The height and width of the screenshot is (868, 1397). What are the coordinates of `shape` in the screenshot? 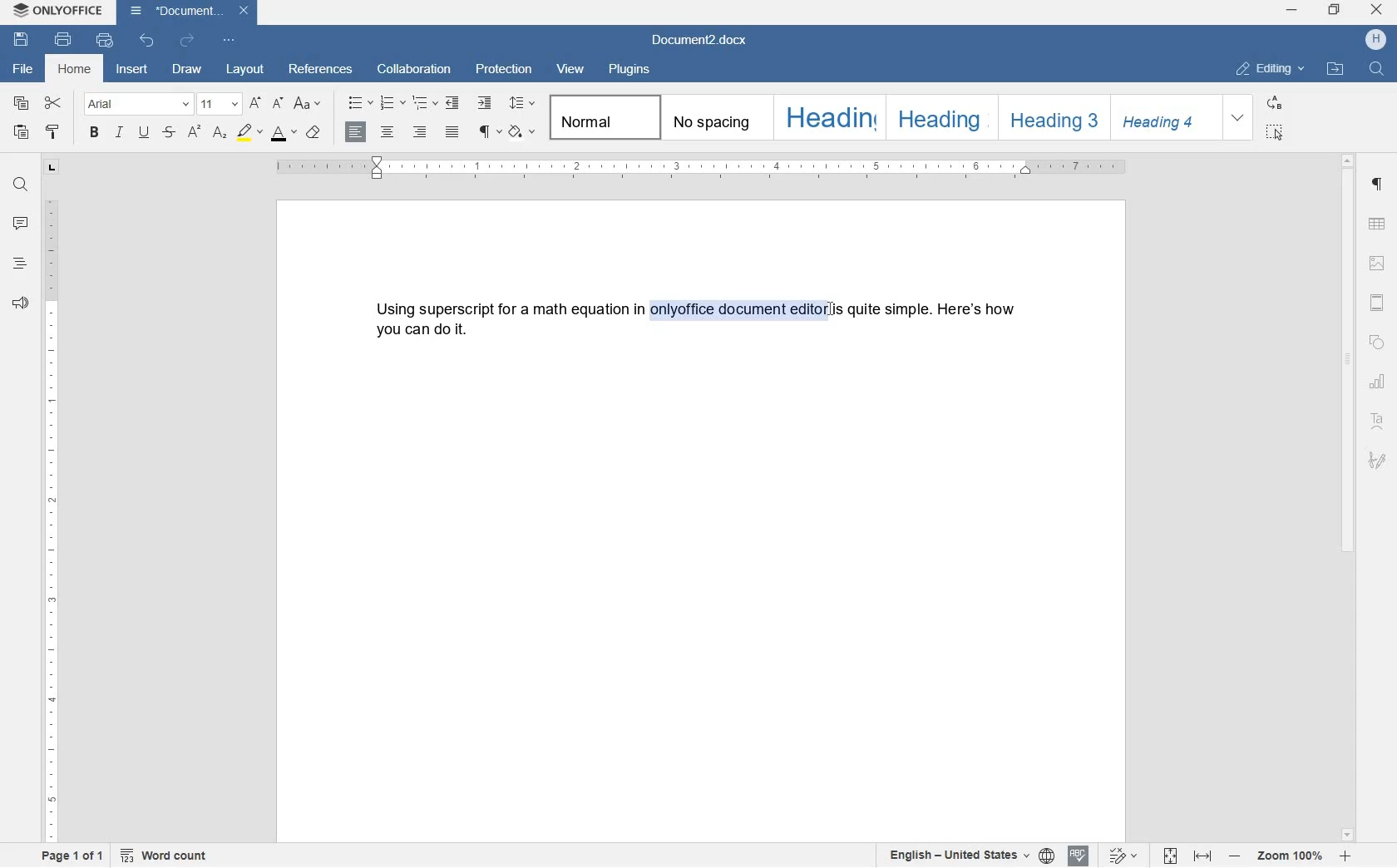 It's located at (1376, 344).